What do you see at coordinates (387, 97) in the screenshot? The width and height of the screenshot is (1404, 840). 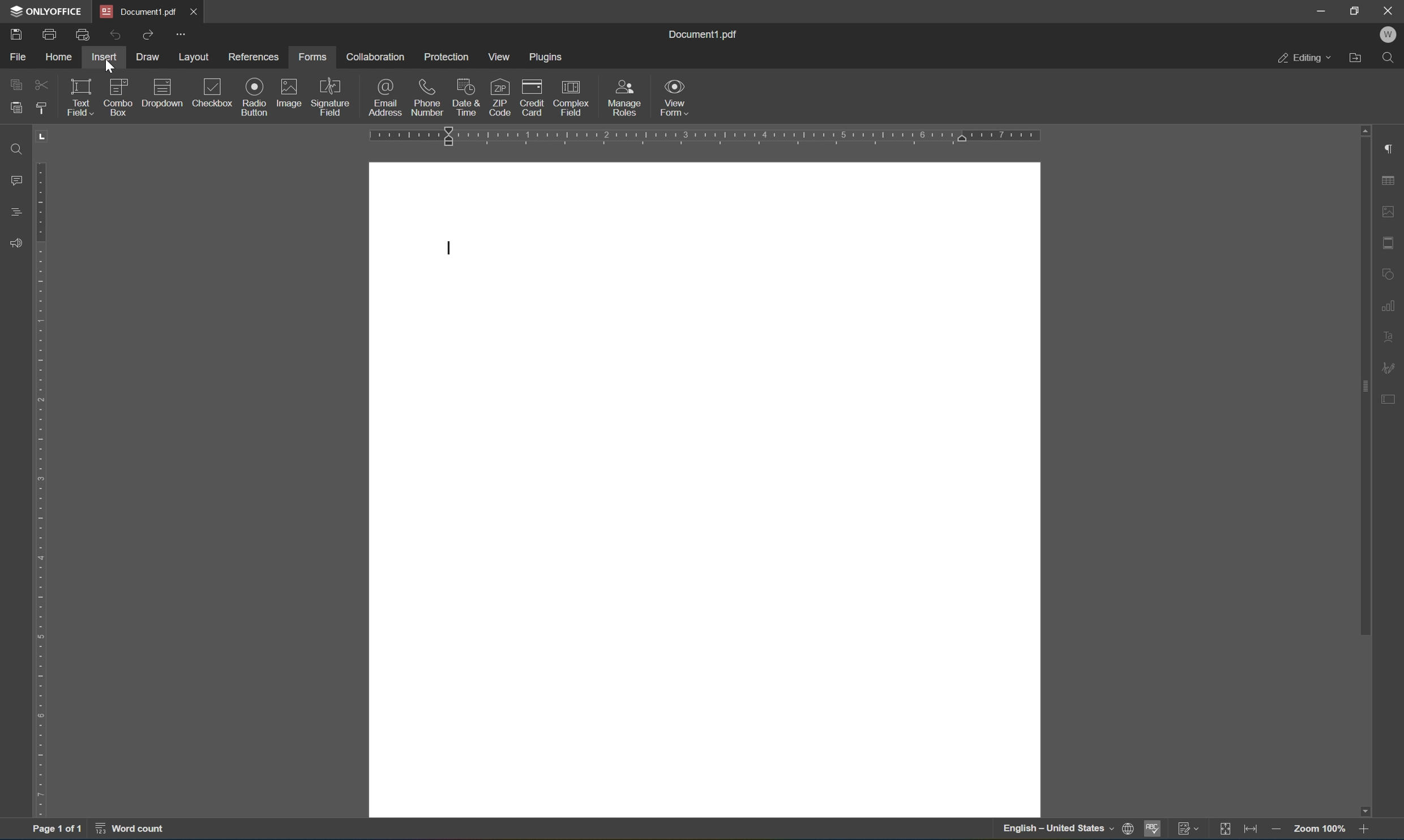 I see `email address` at bounding box center [387, 97].